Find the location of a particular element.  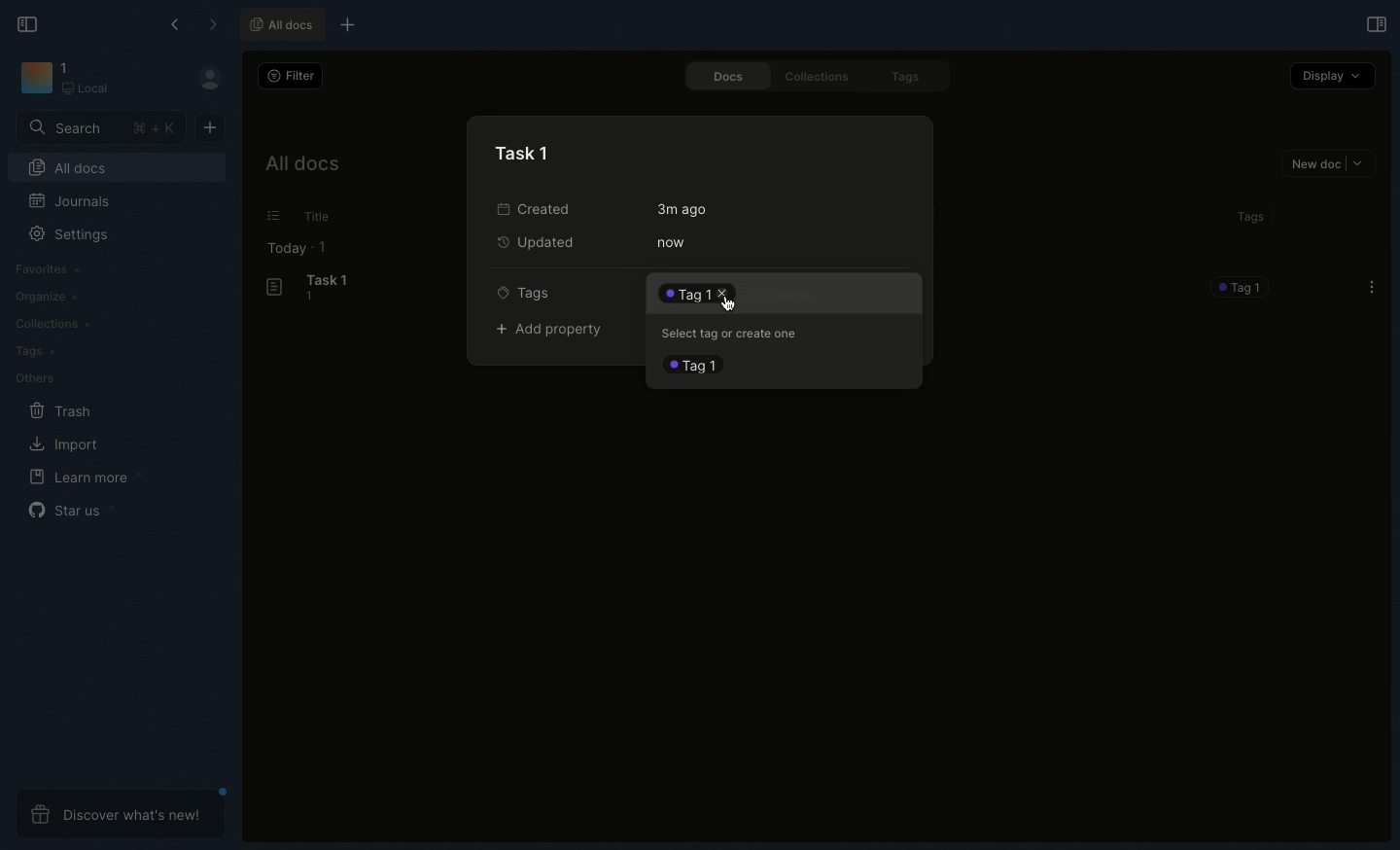

Select tag or create one is located at coordinates (735, 332).